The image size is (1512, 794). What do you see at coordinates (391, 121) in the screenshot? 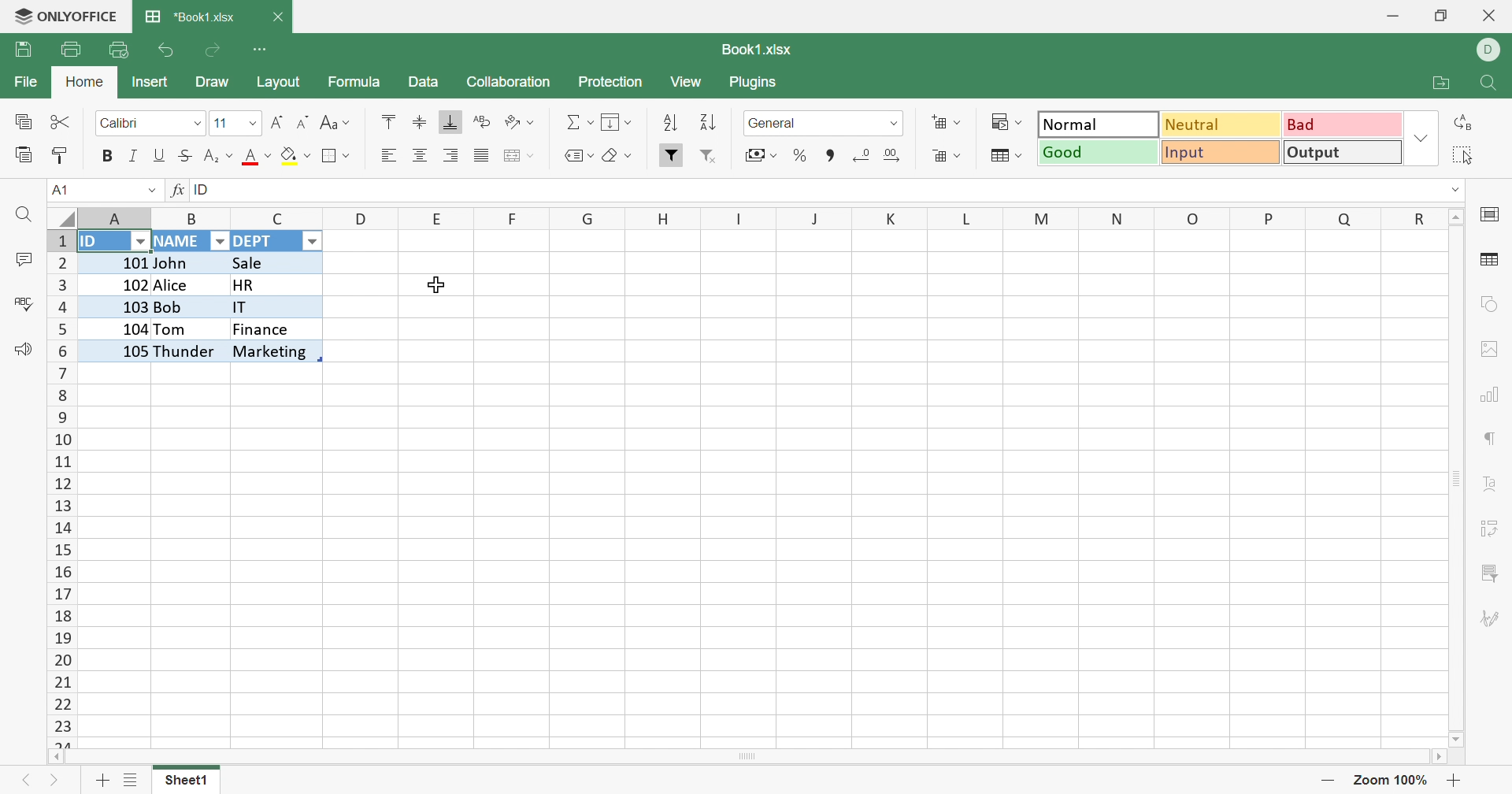
I see `Align Top` at bounding box center [391, 121].